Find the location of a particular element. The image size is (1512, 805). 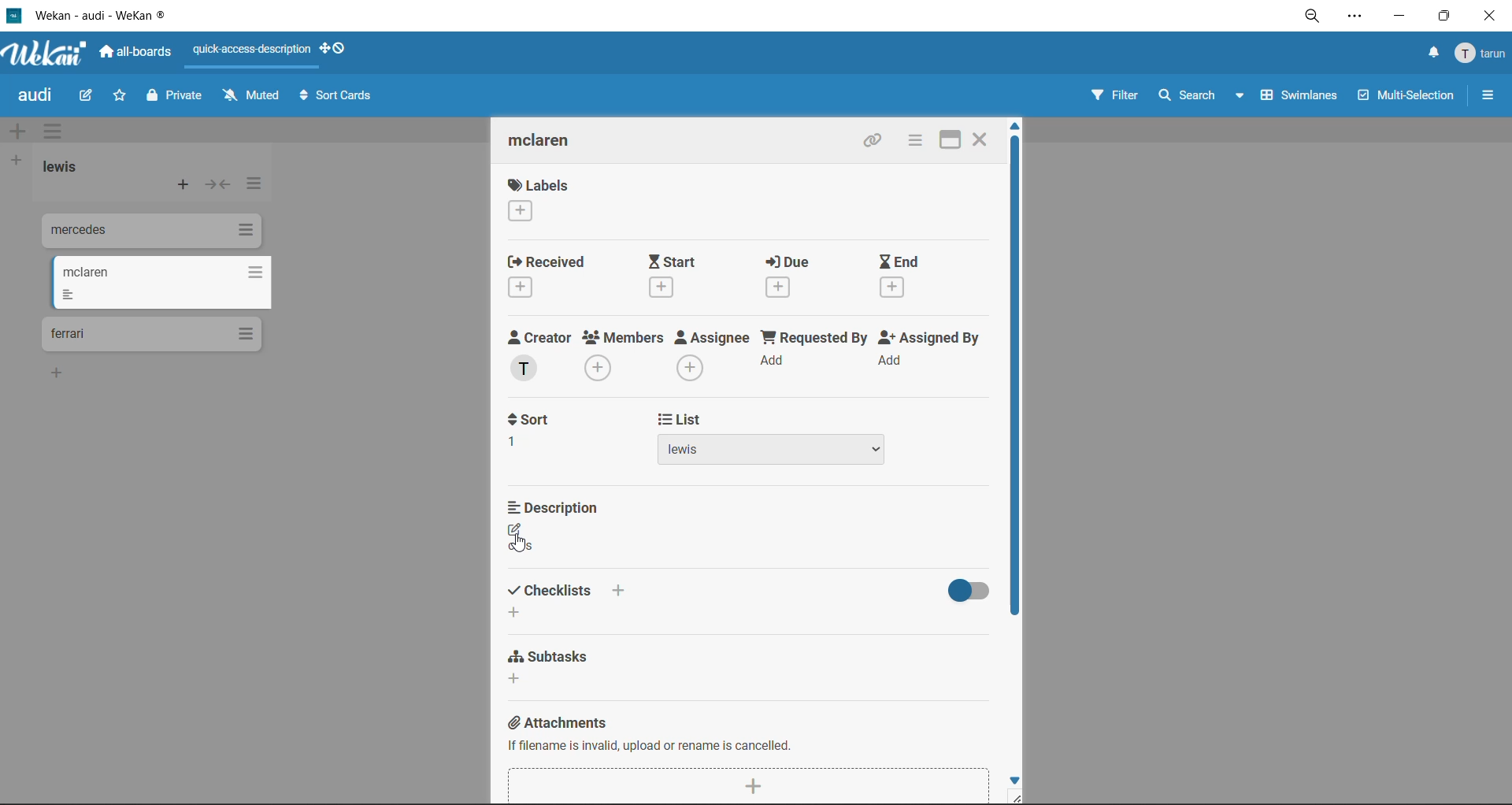

menu is located at coordinates (1482, 54).